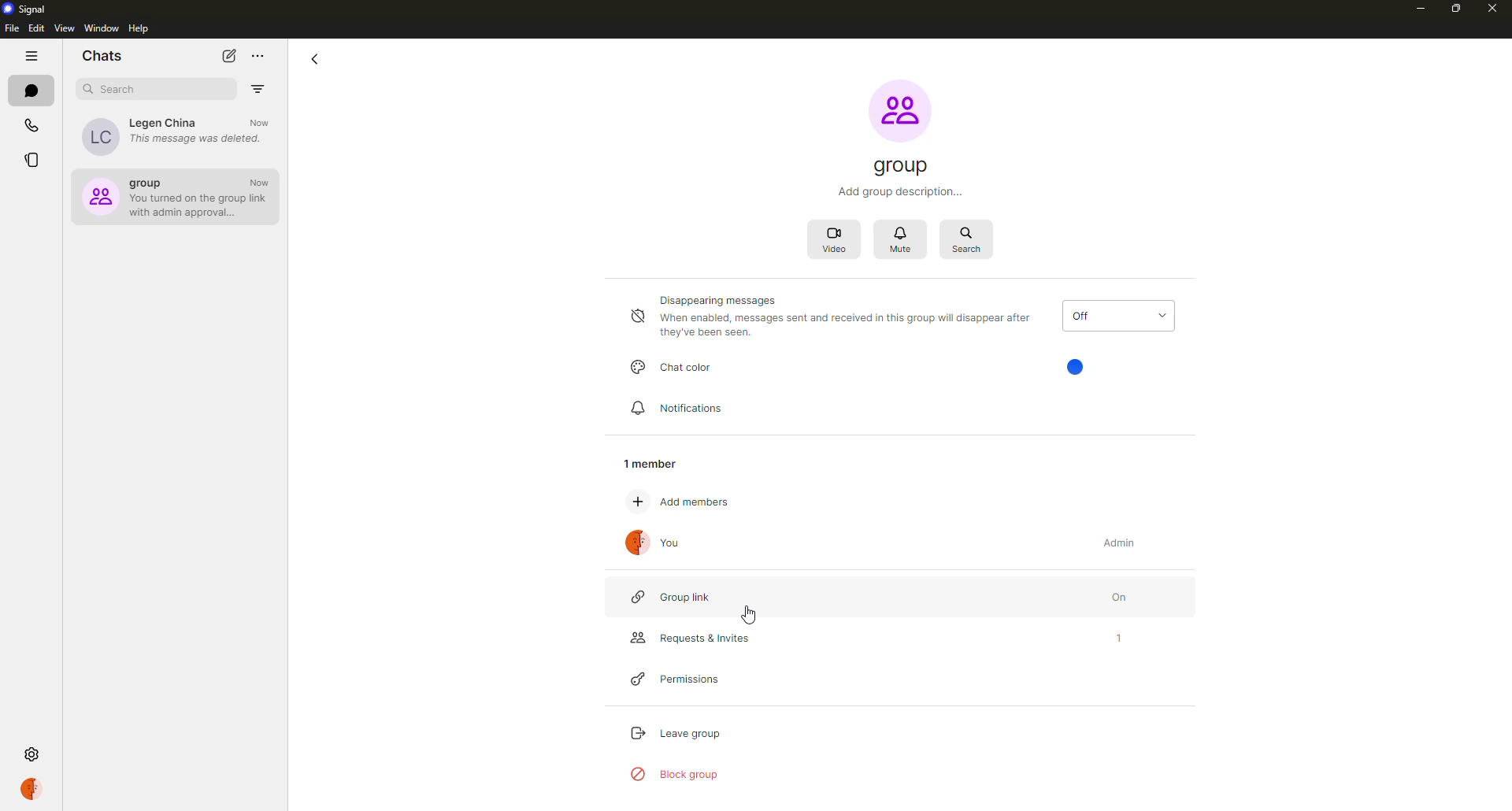 Image resolution: width=1512 pixels, height=811 pixels. What do you see at coordinates (691, 503) in the screenshot?
I see `add members` at bounding box center [691, 503].